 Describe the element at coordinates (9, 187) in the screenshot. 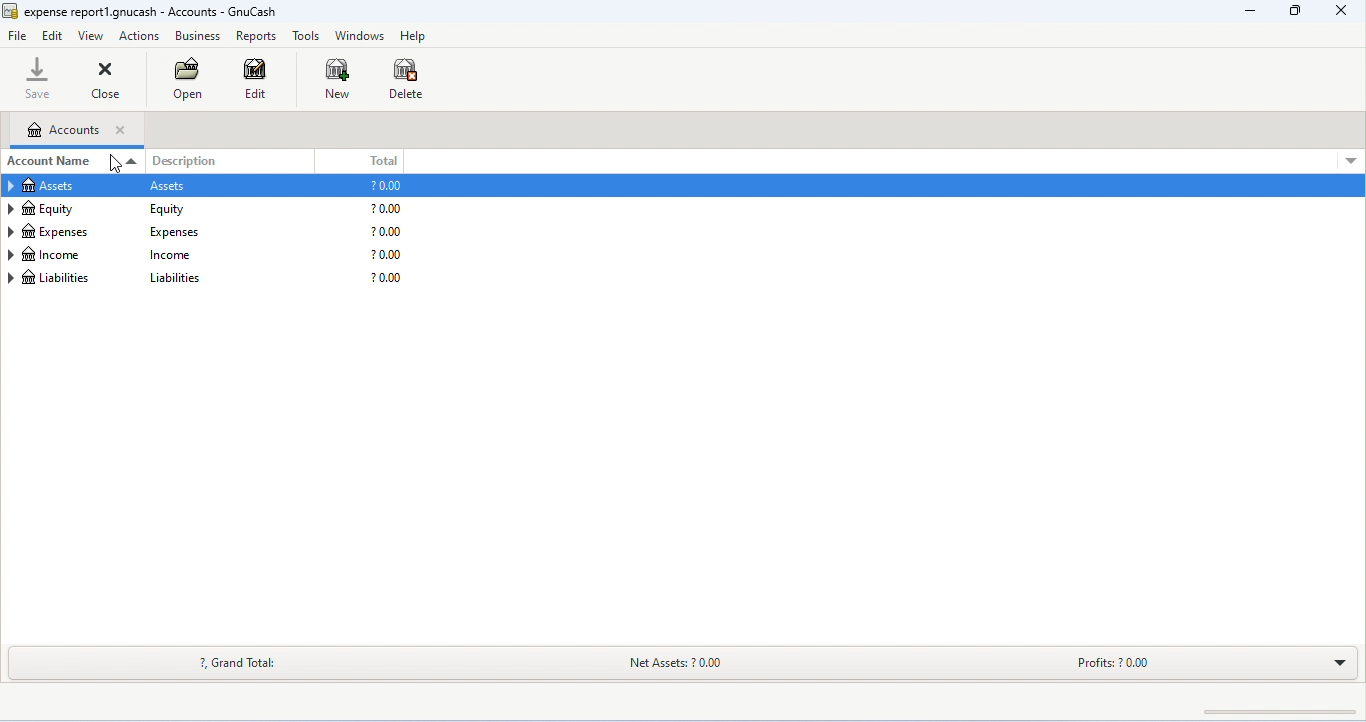

I see `arrow` at that location.